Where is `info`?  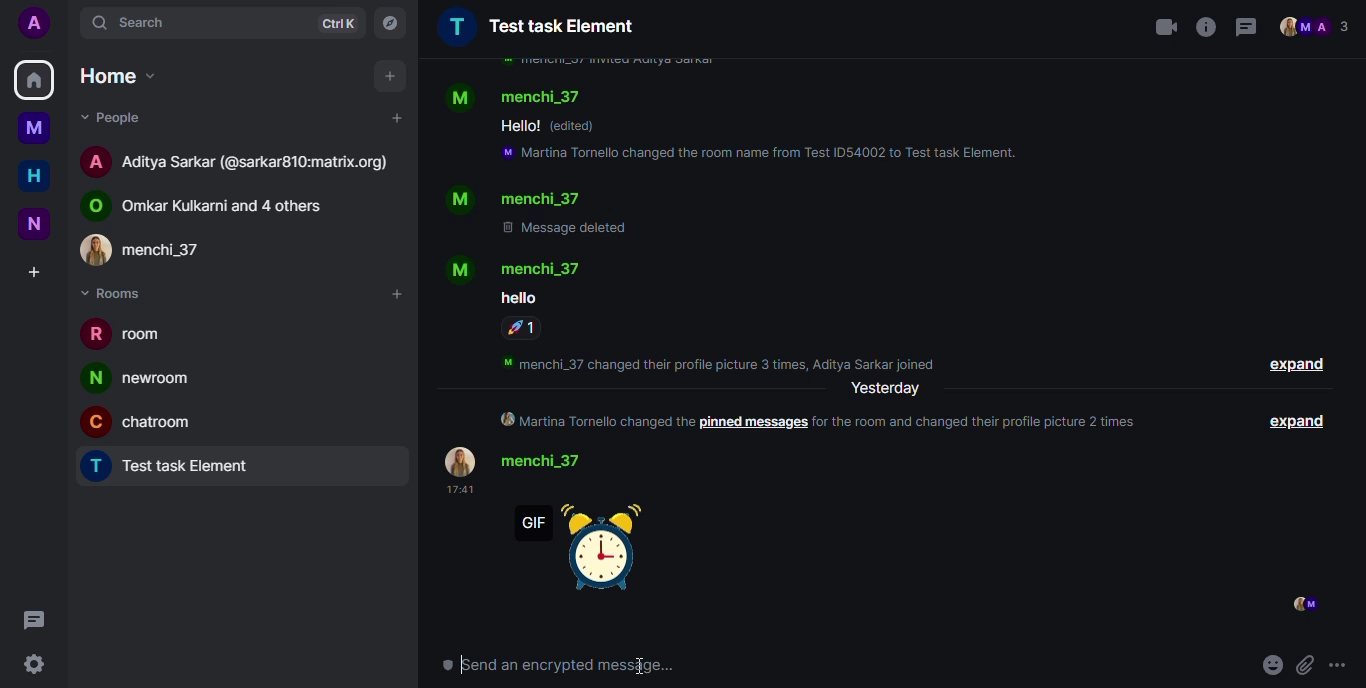
info is located at coordinates (606, 62).